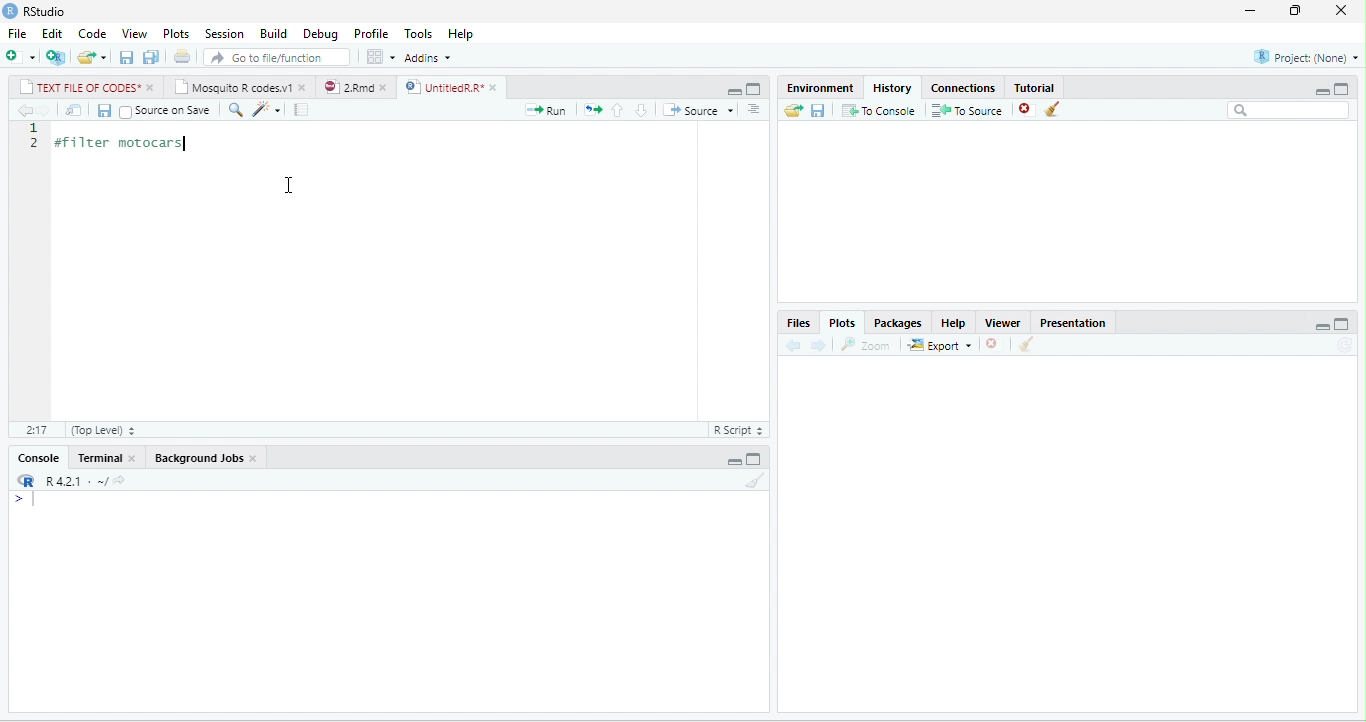 The width and height of the screenshot is (1366, 722). I want to click on File, so click(17, 33).